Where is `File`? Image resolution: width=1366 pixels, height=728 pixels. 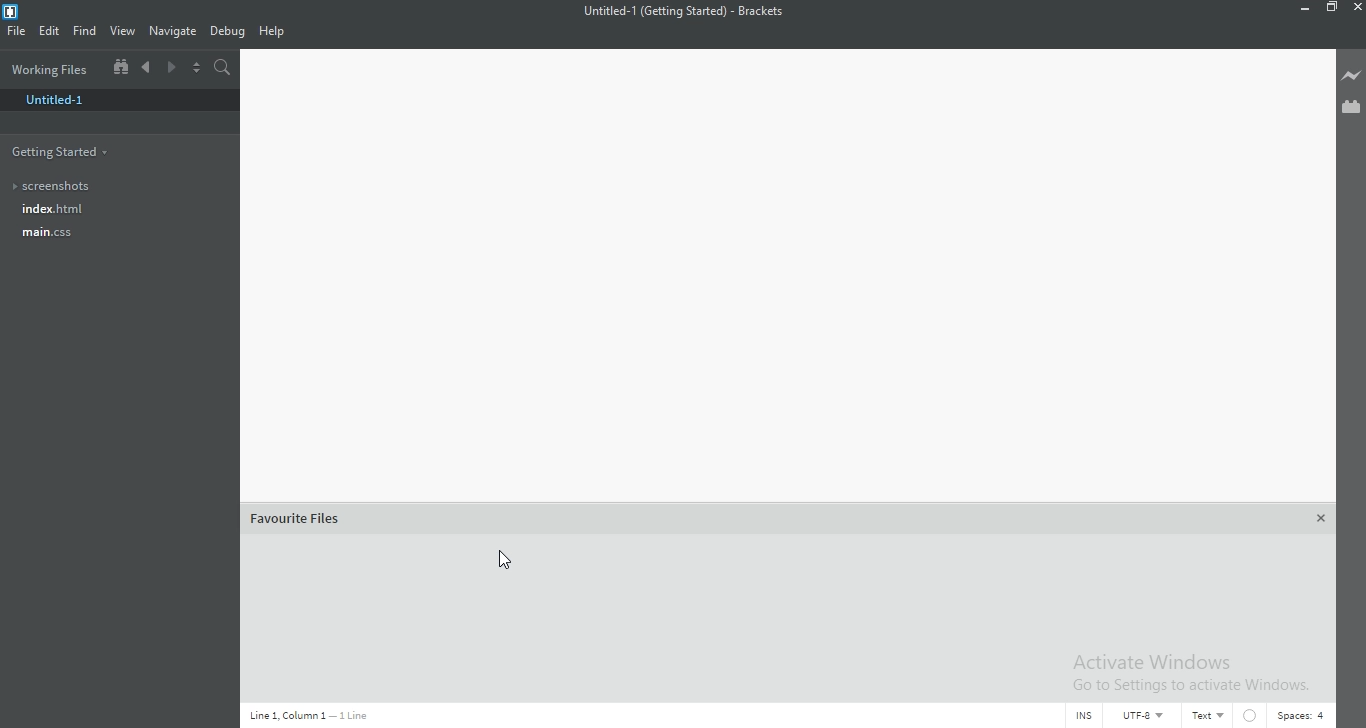
File is located at coordinates (18, 33).